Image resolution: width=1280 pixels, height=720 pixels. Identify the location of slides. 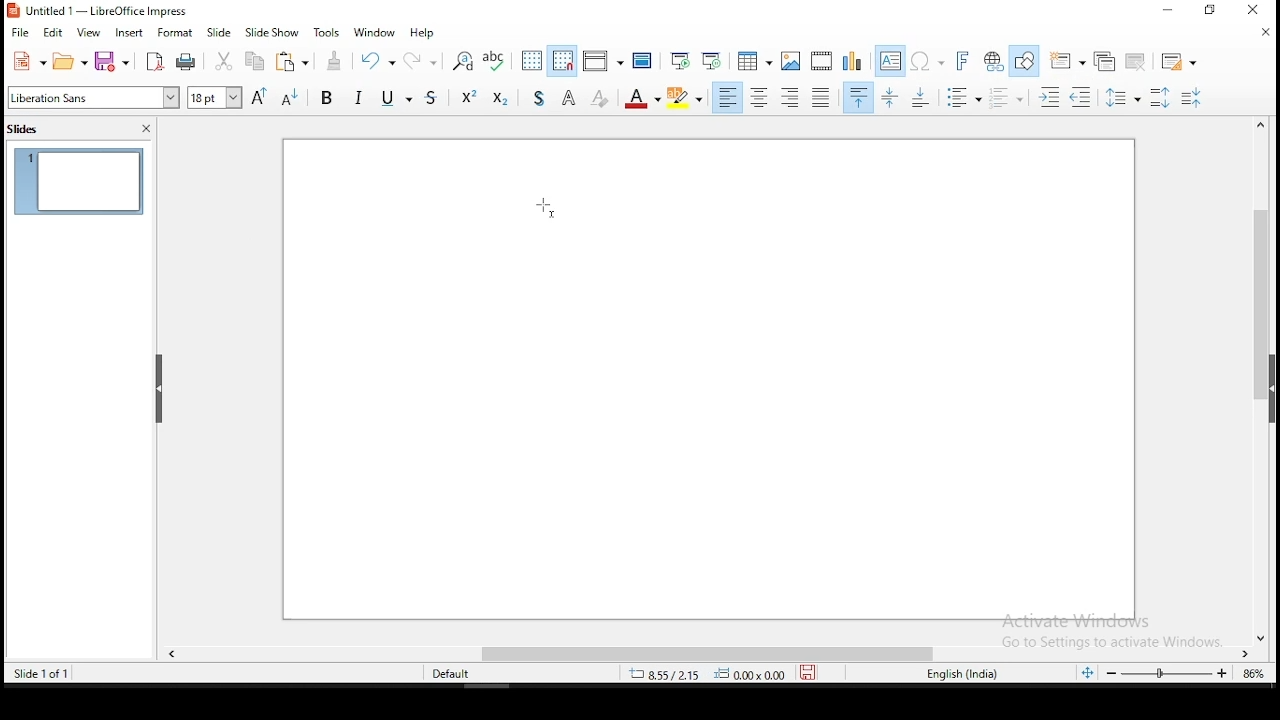
(26, 130).